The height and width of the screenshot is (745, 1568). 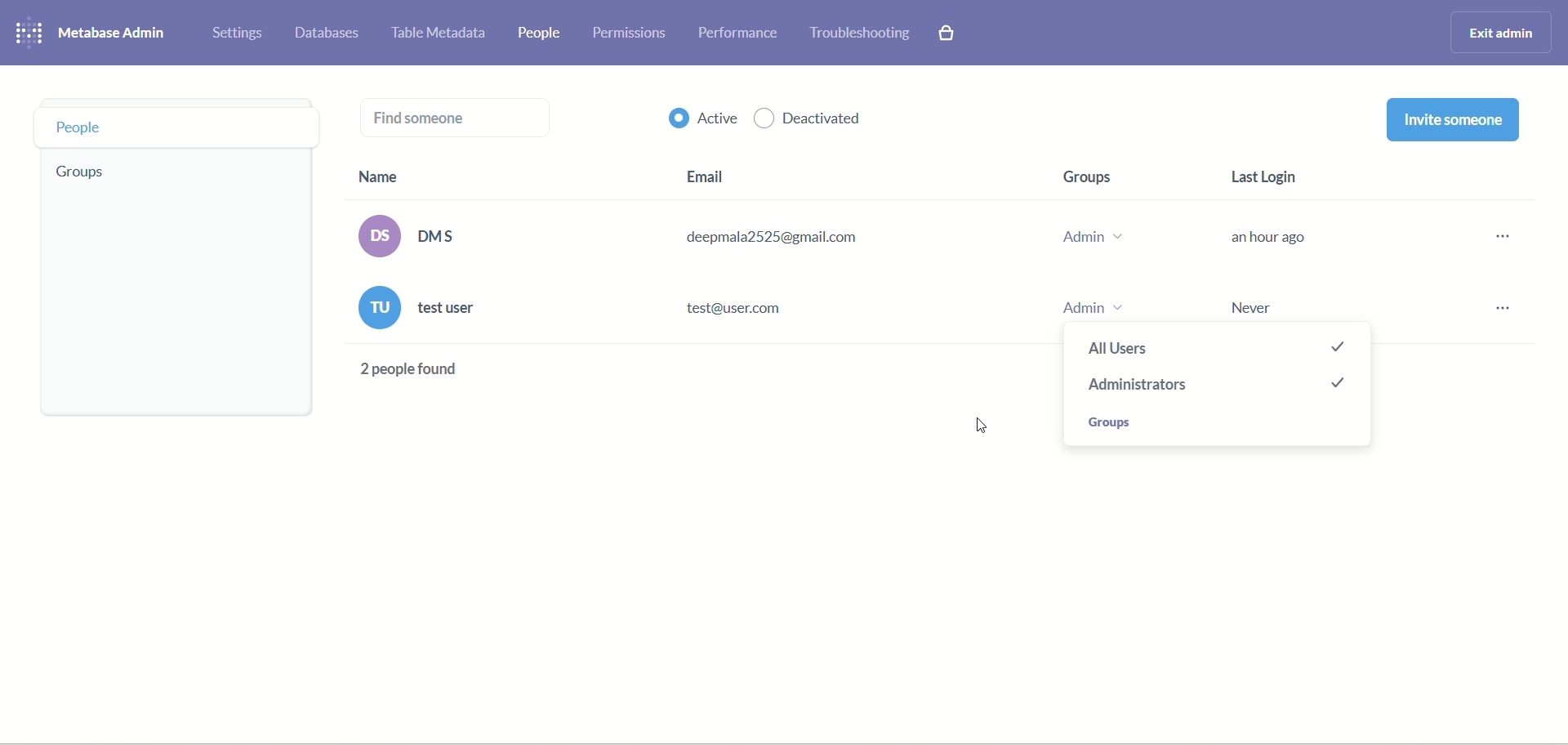 I want to click on active, so click(x=704, y=116).